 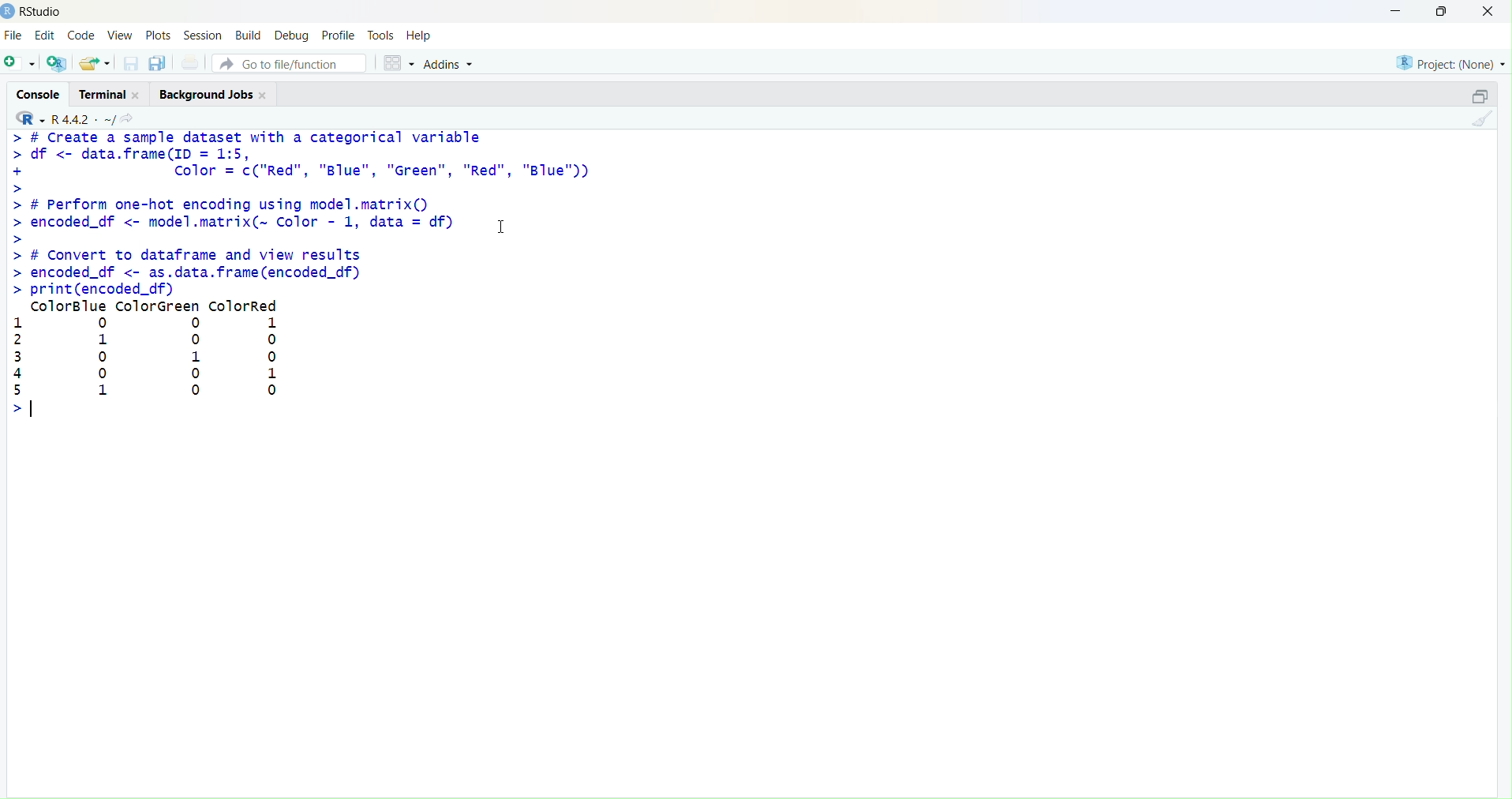 I want to click on help, so click(x=419, y=36).